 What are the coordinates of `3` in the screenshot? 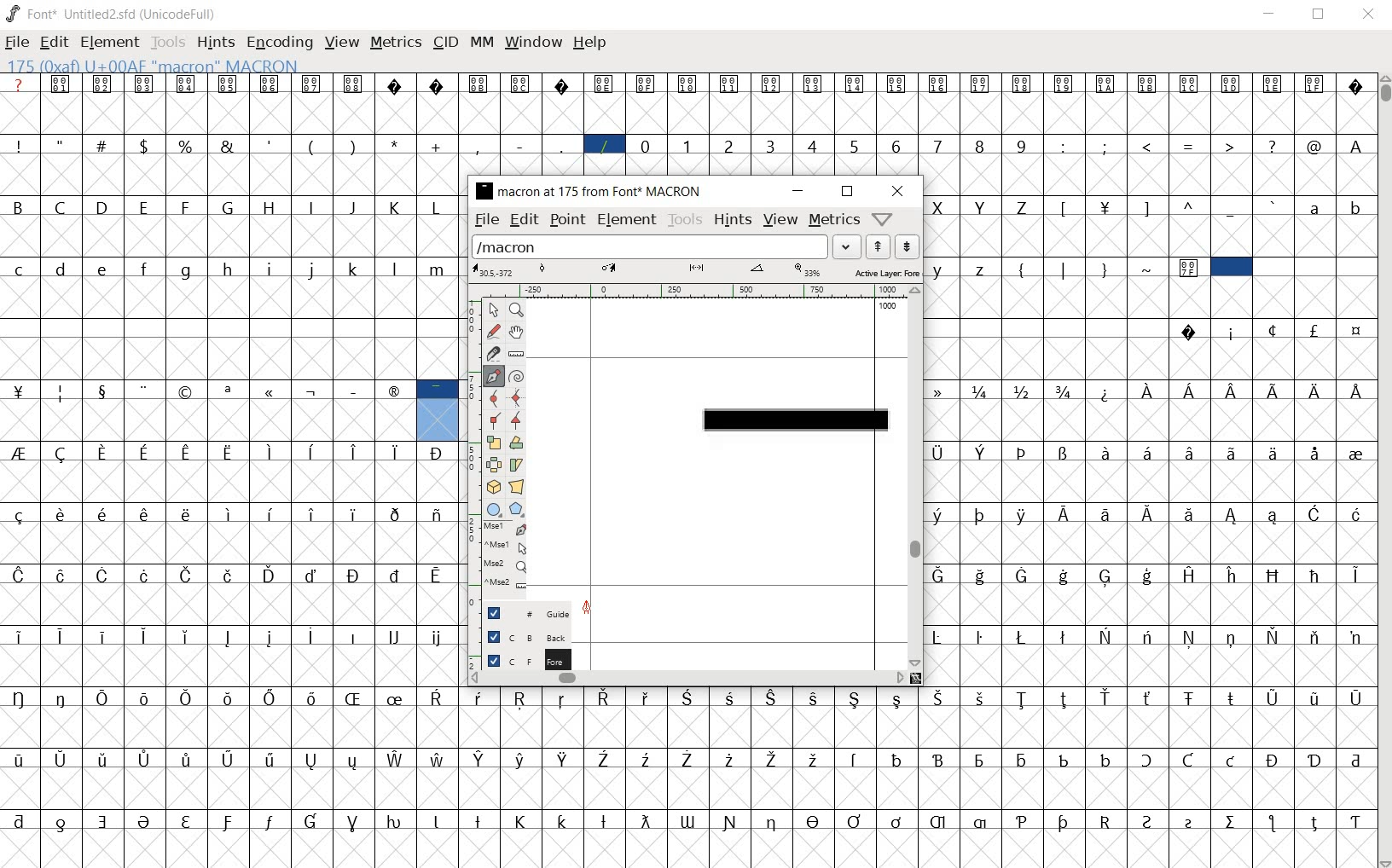 It's located at (772, 146).